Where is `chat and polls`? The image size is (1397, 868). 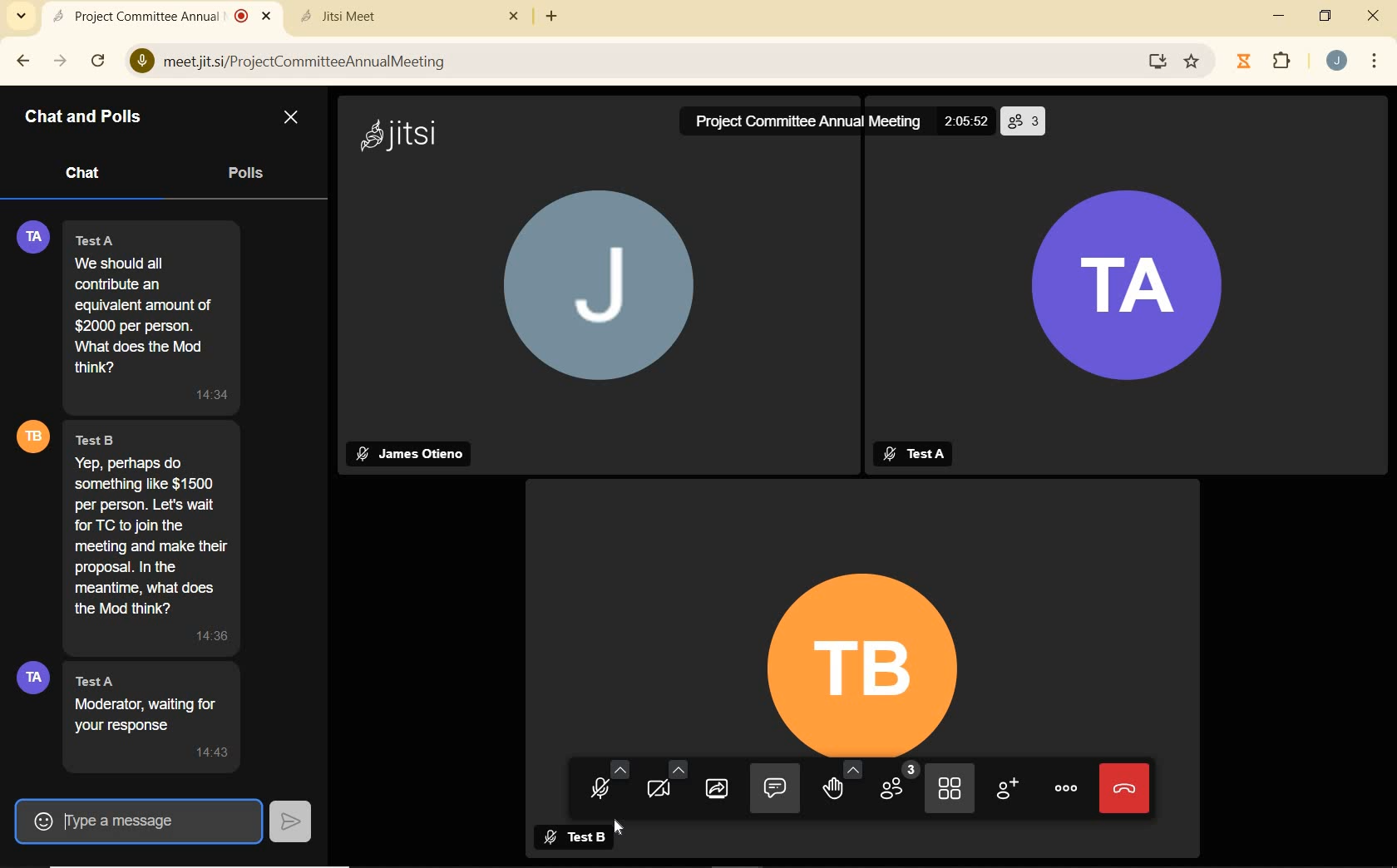 chat and polls is located at coordinates (84, 117).